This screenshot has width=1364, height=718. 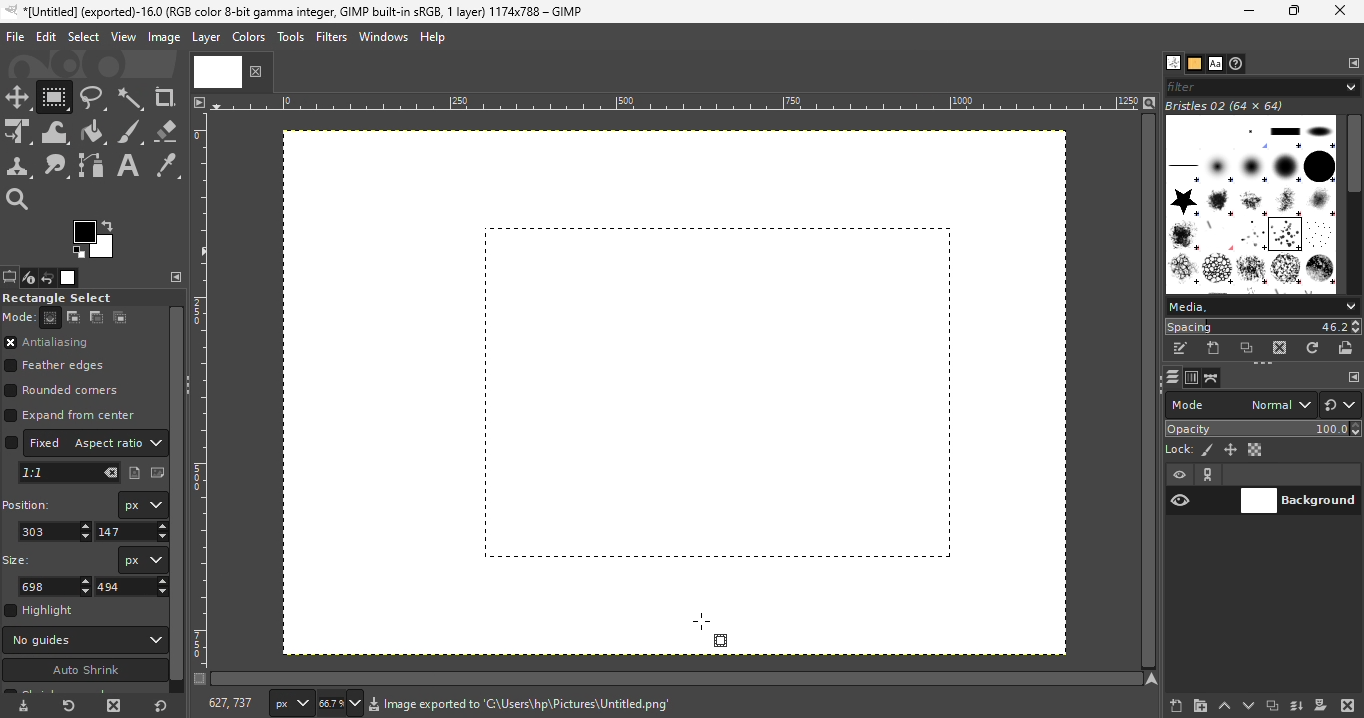 What do you see at coordinates (122, 317) in the screenshot?
I see `Intersect with the current selection` at bounding box center [122, 317].